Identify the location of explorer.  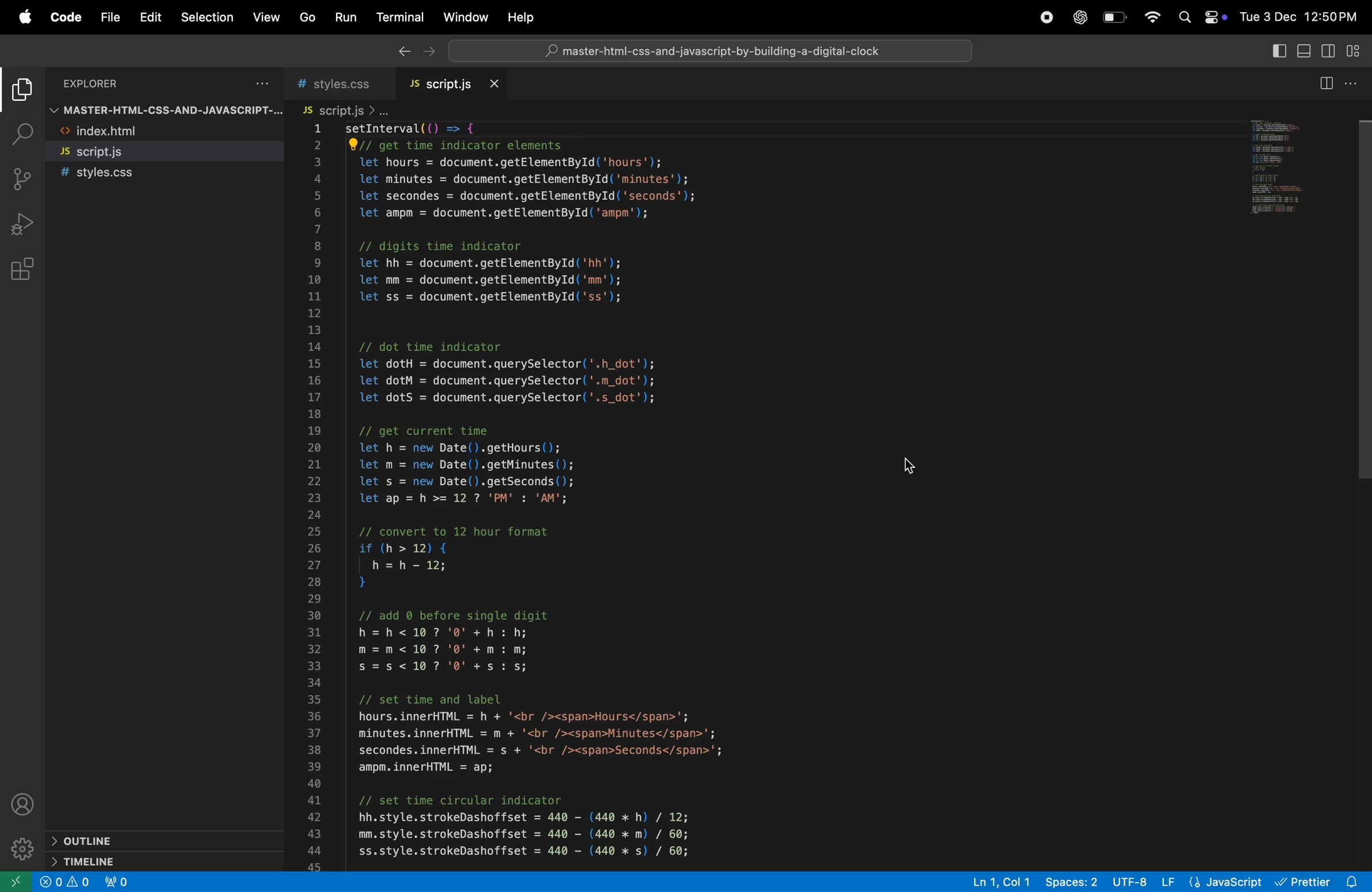
(94, 84).